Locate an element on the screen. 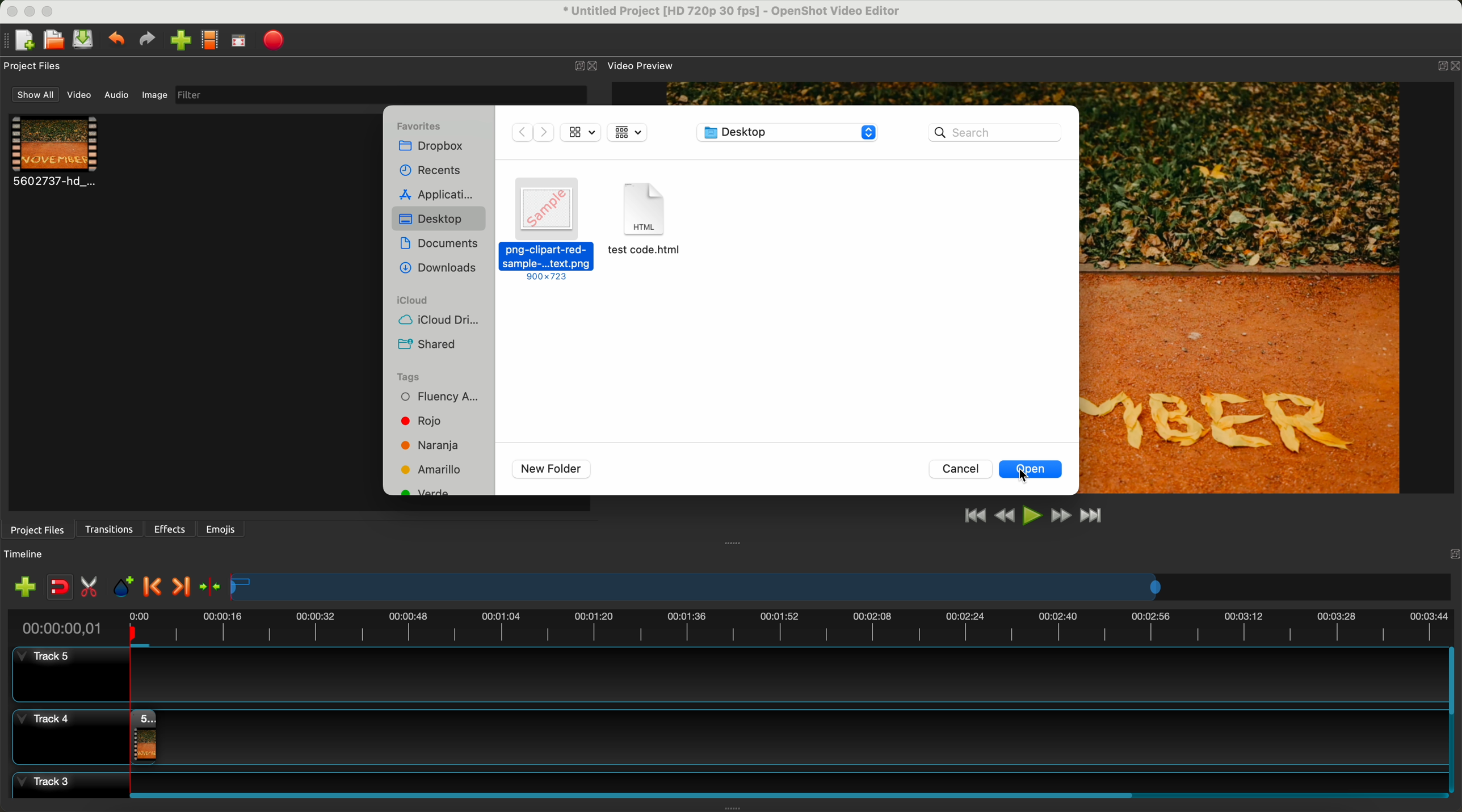  center the timeline on the playhead is located at coordinates (209, 586).